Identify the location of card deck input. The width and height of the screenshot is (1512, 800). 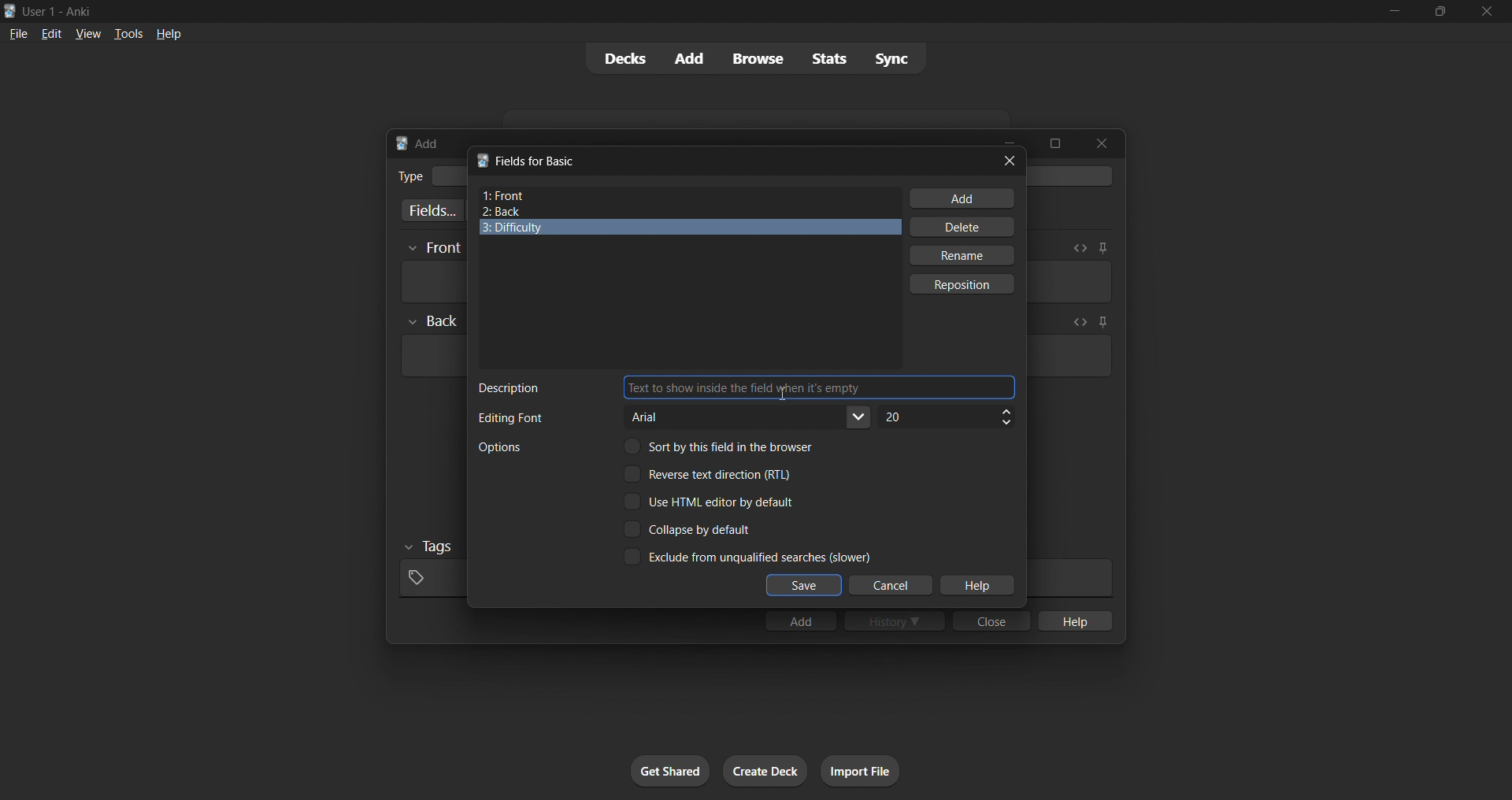
(1073, 176).